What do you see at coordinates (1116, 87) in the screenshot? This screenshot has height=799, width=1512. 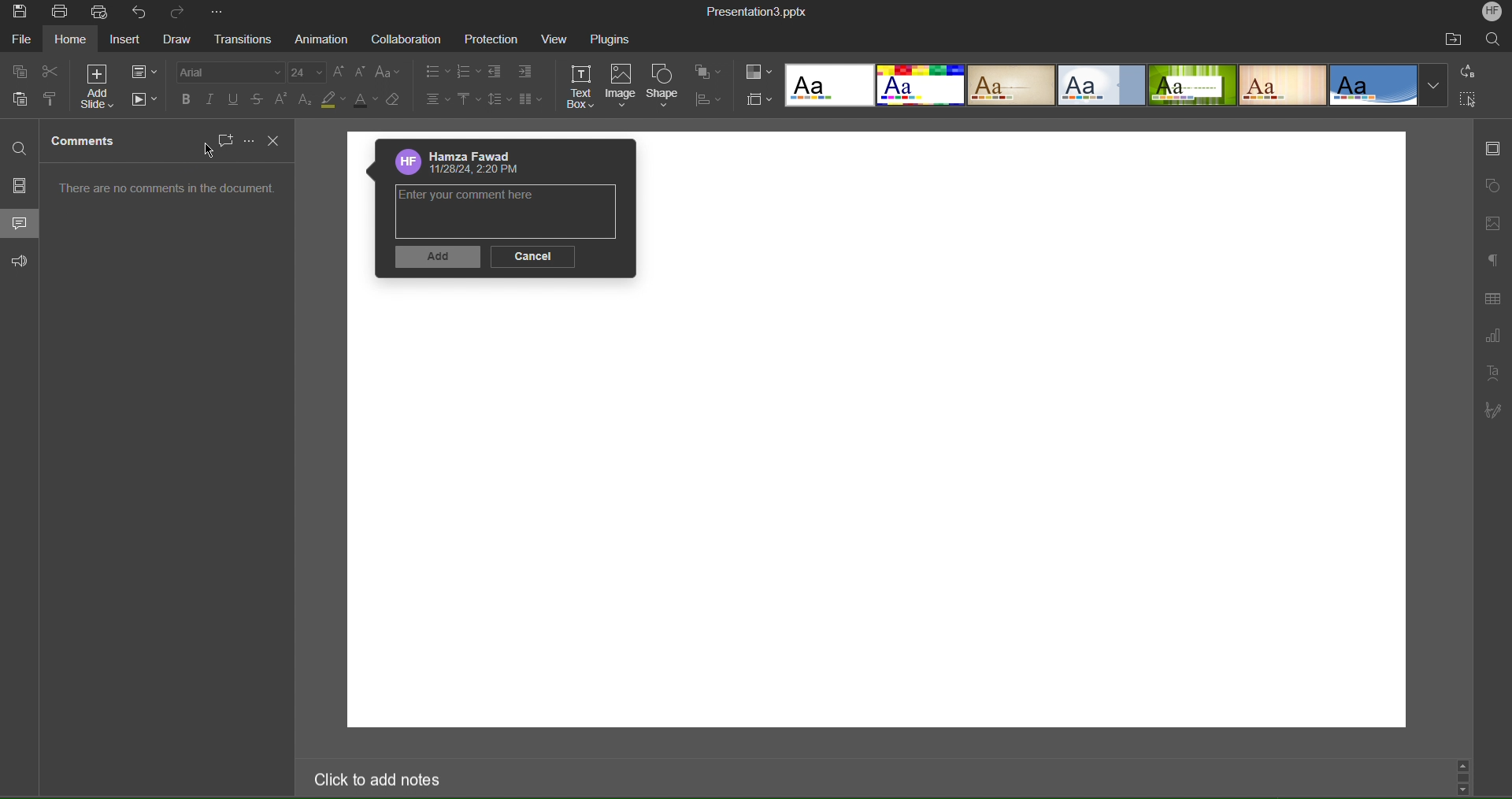 I see `Slide Templates` at bounding box center [1116, 87].